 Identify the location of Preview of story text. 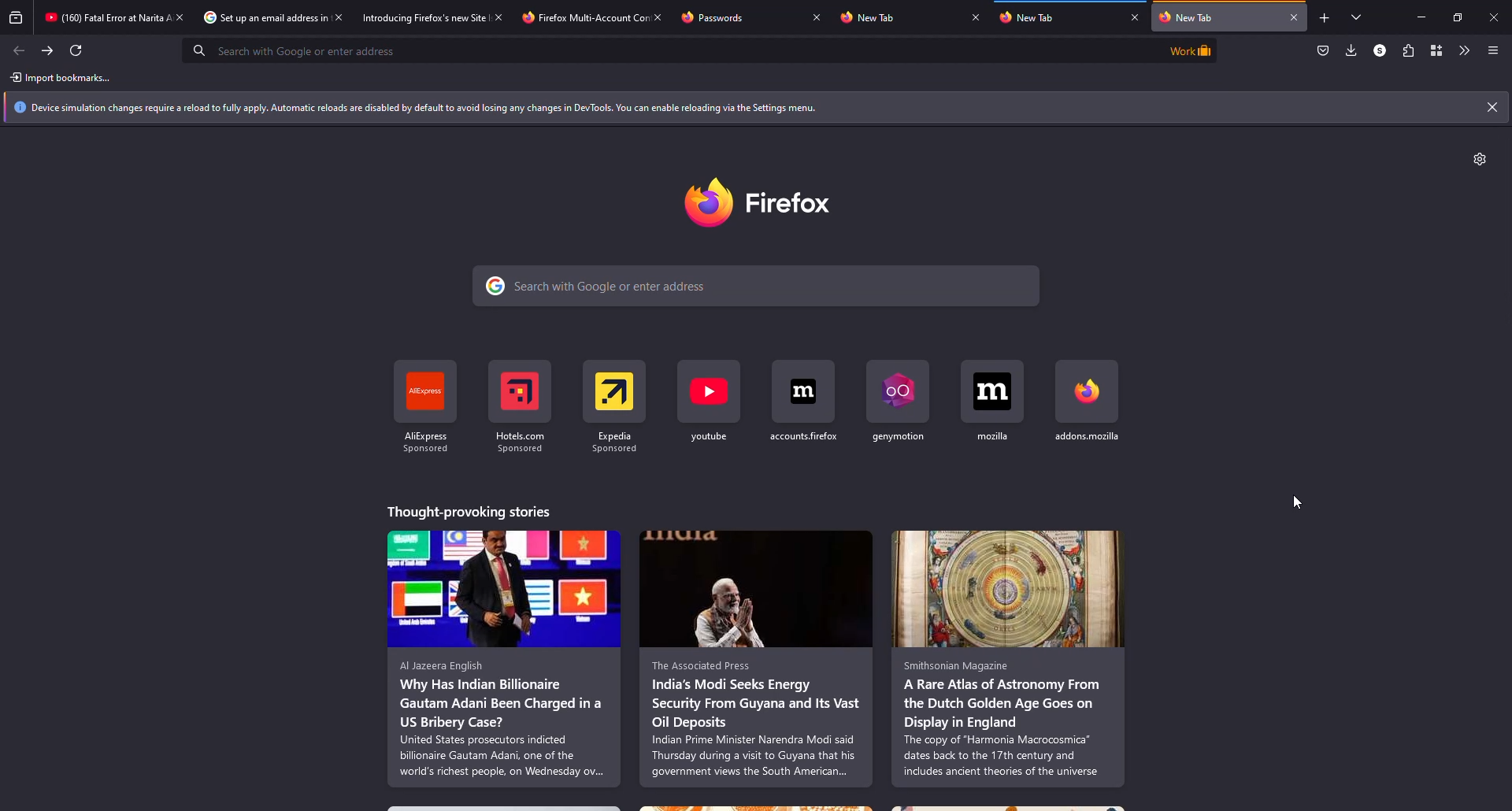
(1006, 719).